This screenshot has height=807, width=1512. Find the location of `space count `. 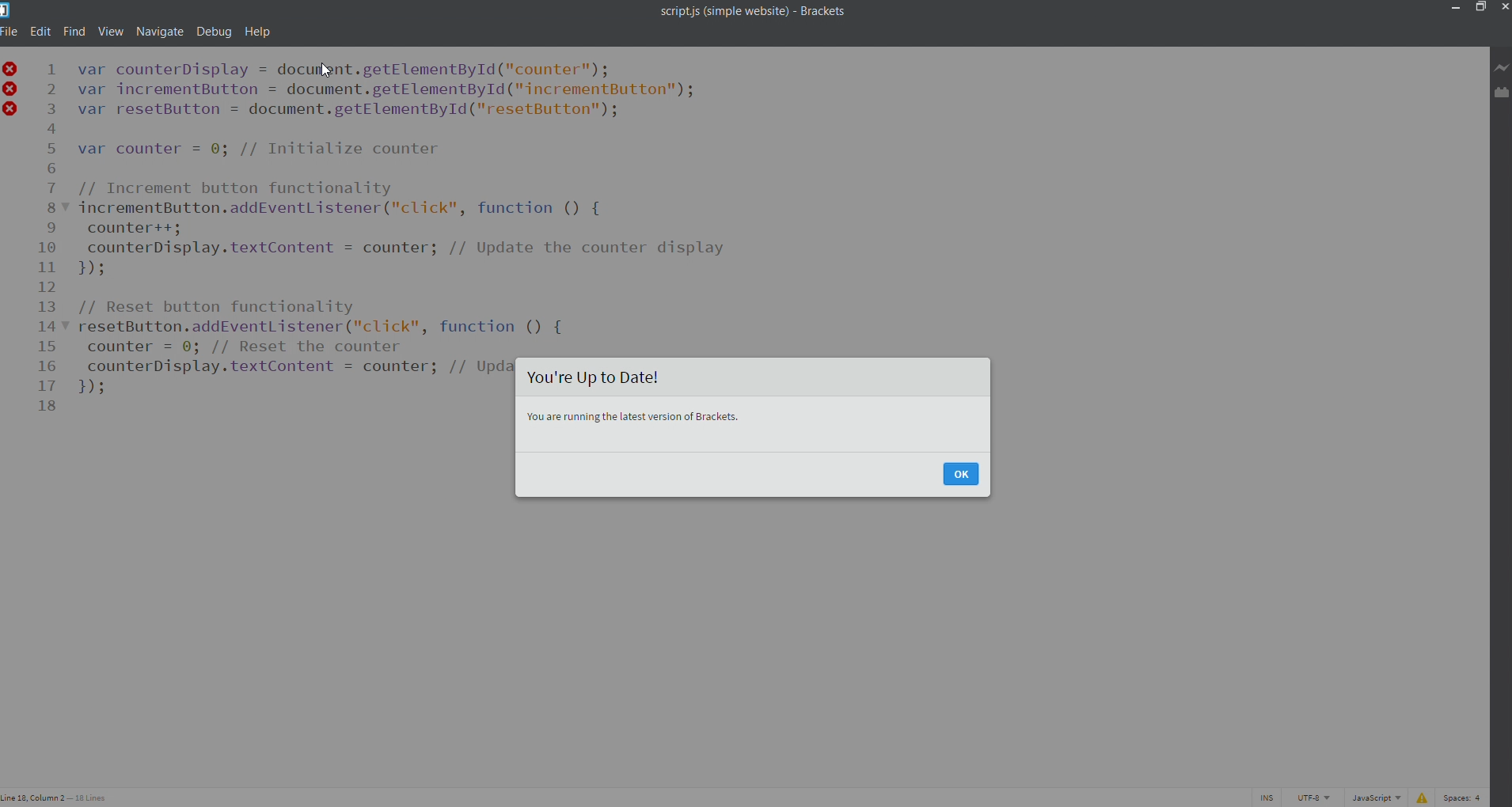

space count  is located at coordinates (1464, 798).